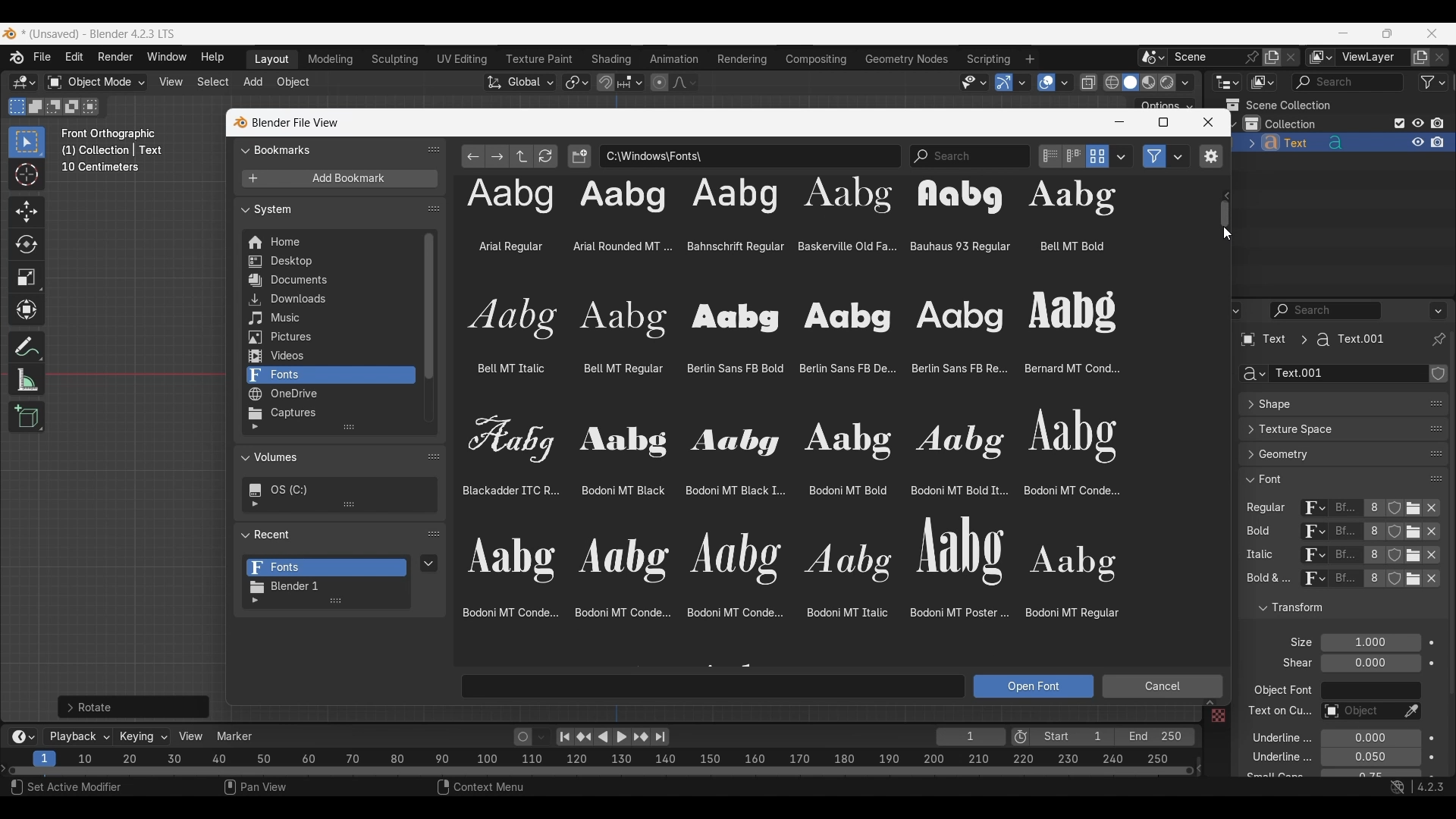 The width and height of the screenshot is (1456, 819). Describe the element at coordinates (167, 58) in the screenshot. I see `Window menu` at that location.